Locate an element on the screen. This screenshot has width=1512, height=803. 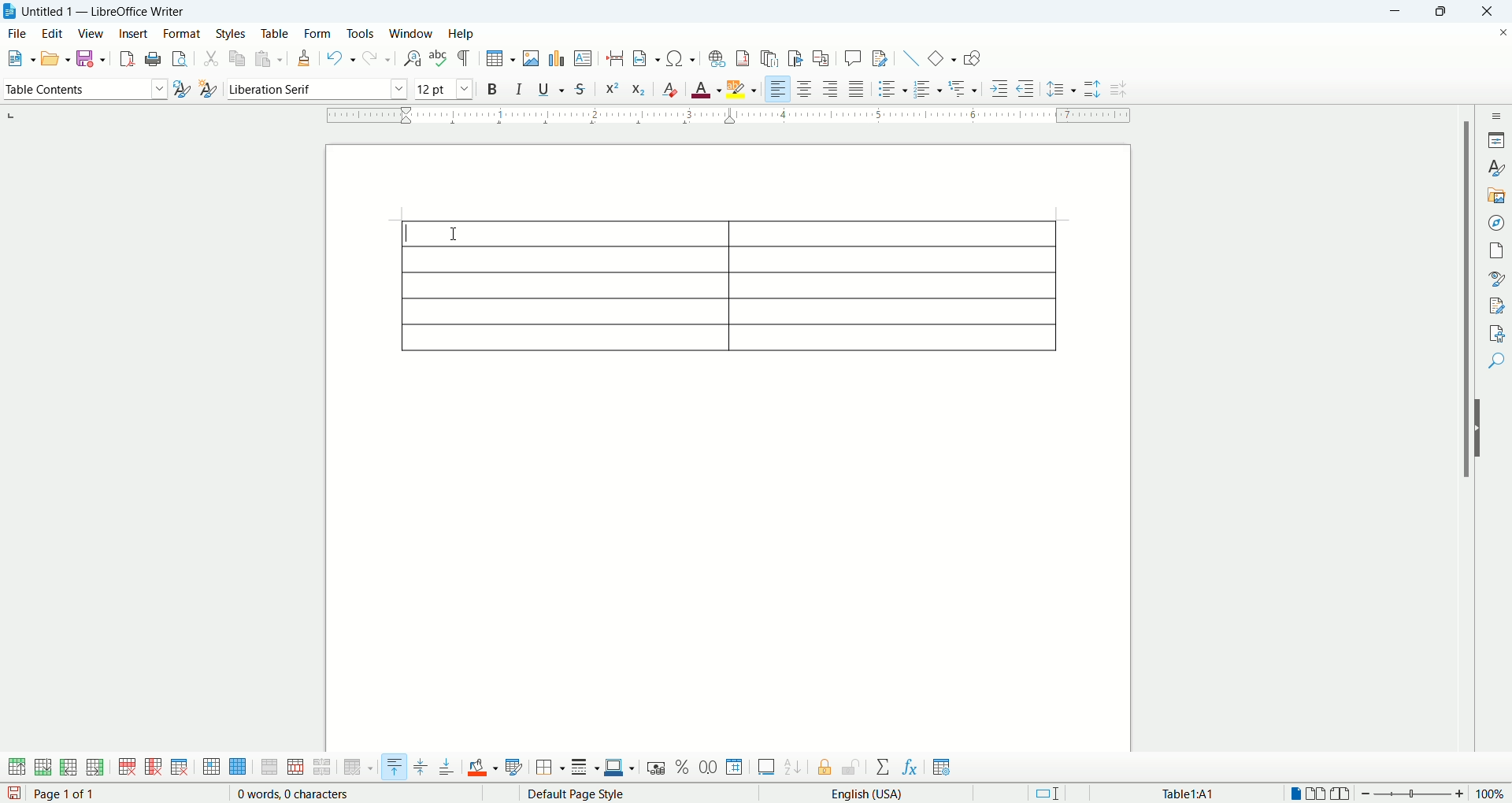
style is located at coordinates (1495, 168).